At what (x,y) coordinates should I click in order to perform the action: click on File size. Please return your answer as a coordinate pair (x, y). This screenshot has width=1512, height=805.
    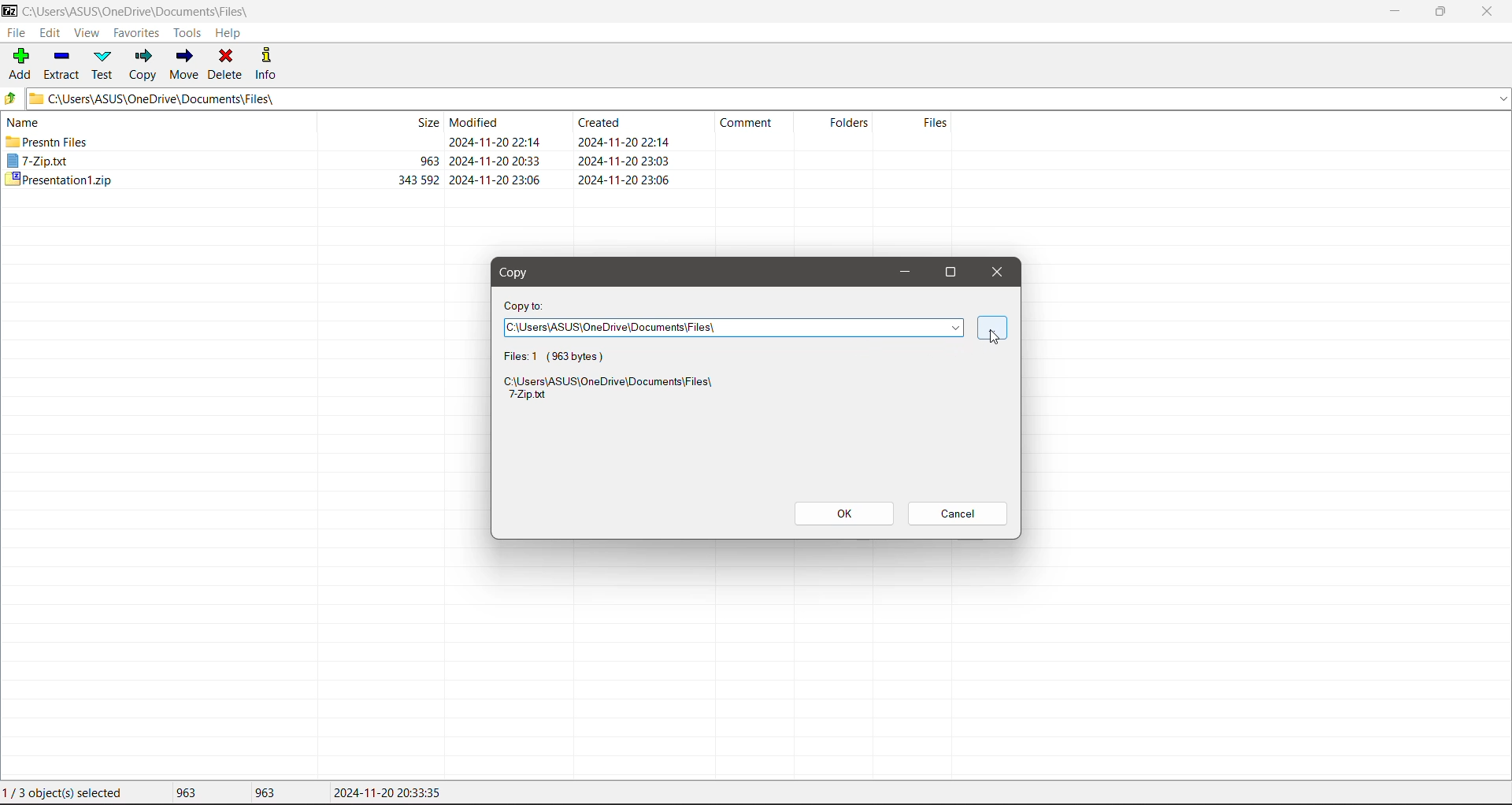
    Looking at the image, I should click on (390, 152).